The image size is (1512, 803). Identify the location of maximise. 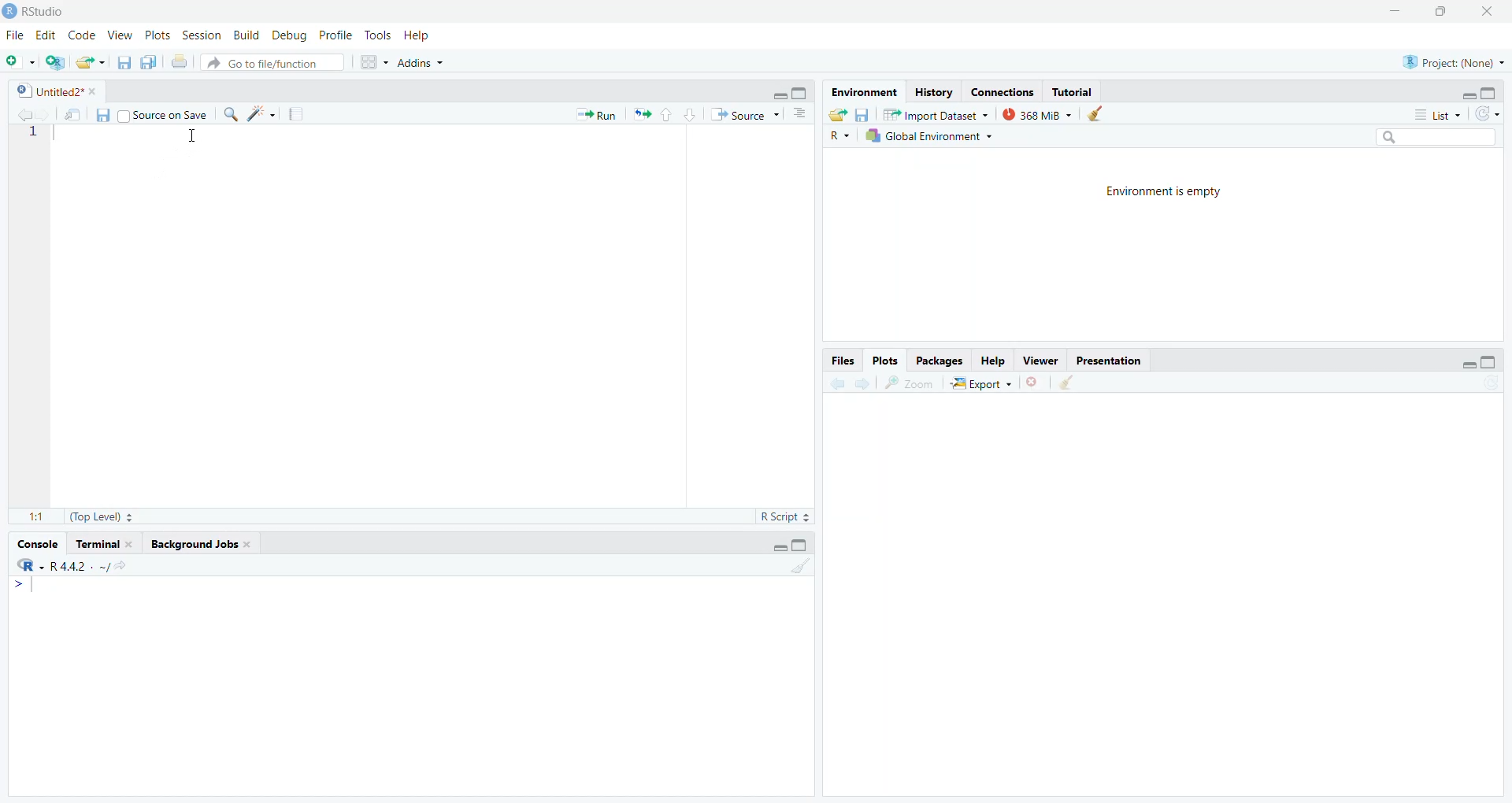
(802, 92).